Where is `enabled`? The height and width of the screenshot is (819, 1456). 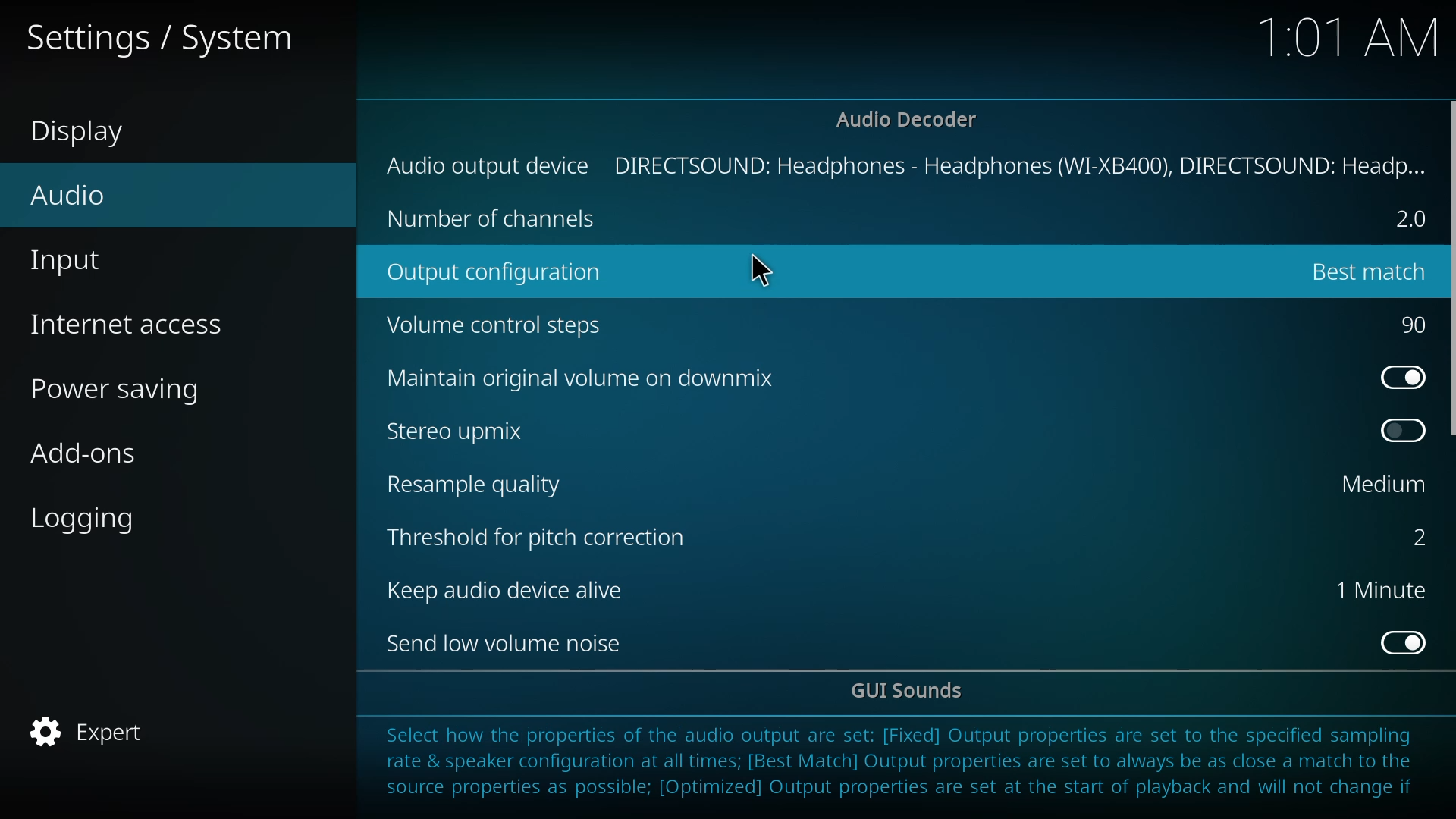
enabled is located at coordinates (1399, 375).